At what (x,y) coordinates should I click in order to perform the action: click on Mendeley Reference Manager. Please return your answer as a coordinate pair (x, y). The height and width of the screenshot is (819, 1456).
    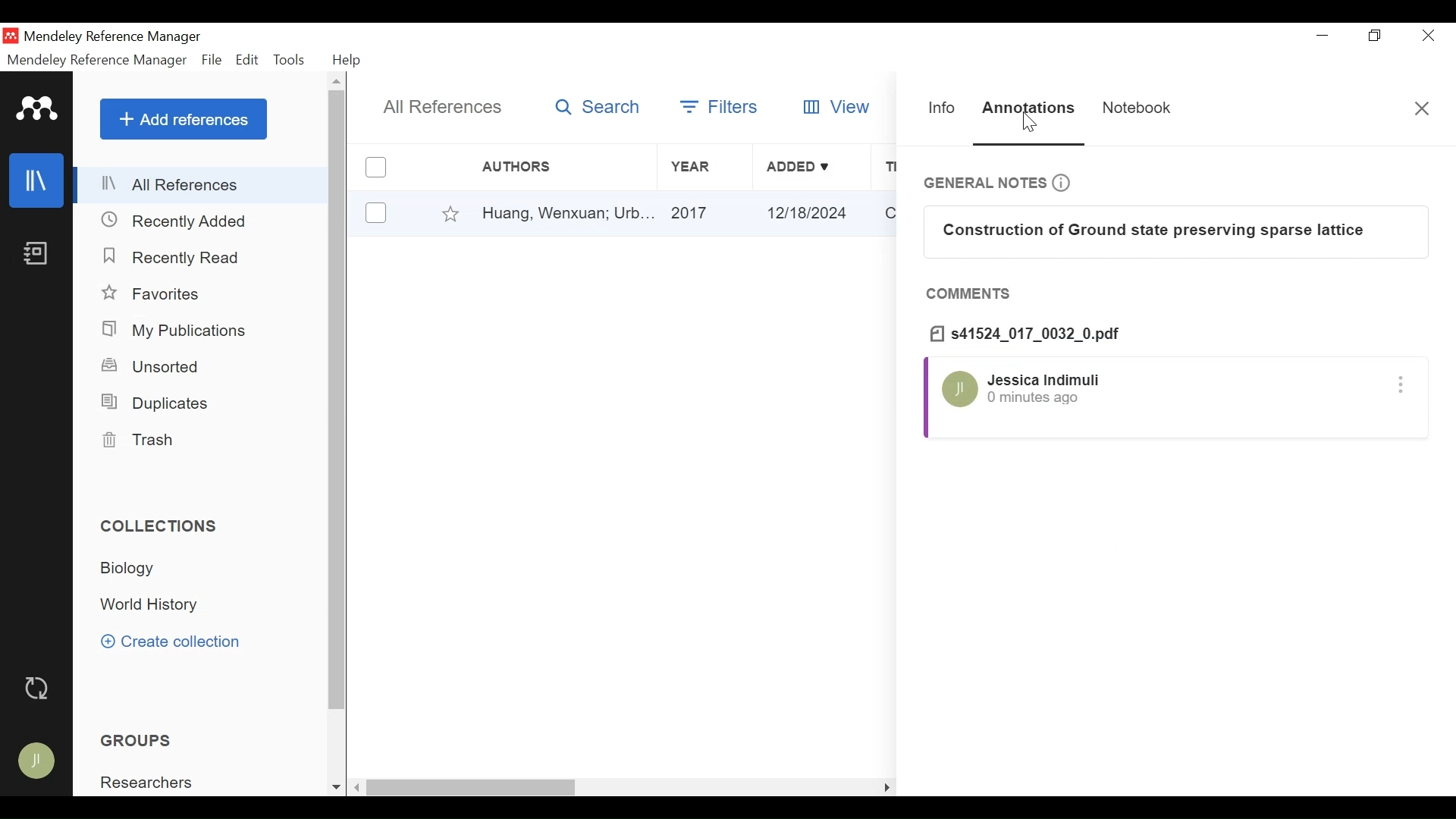
    Looking at the image, I should click on (97, 60).